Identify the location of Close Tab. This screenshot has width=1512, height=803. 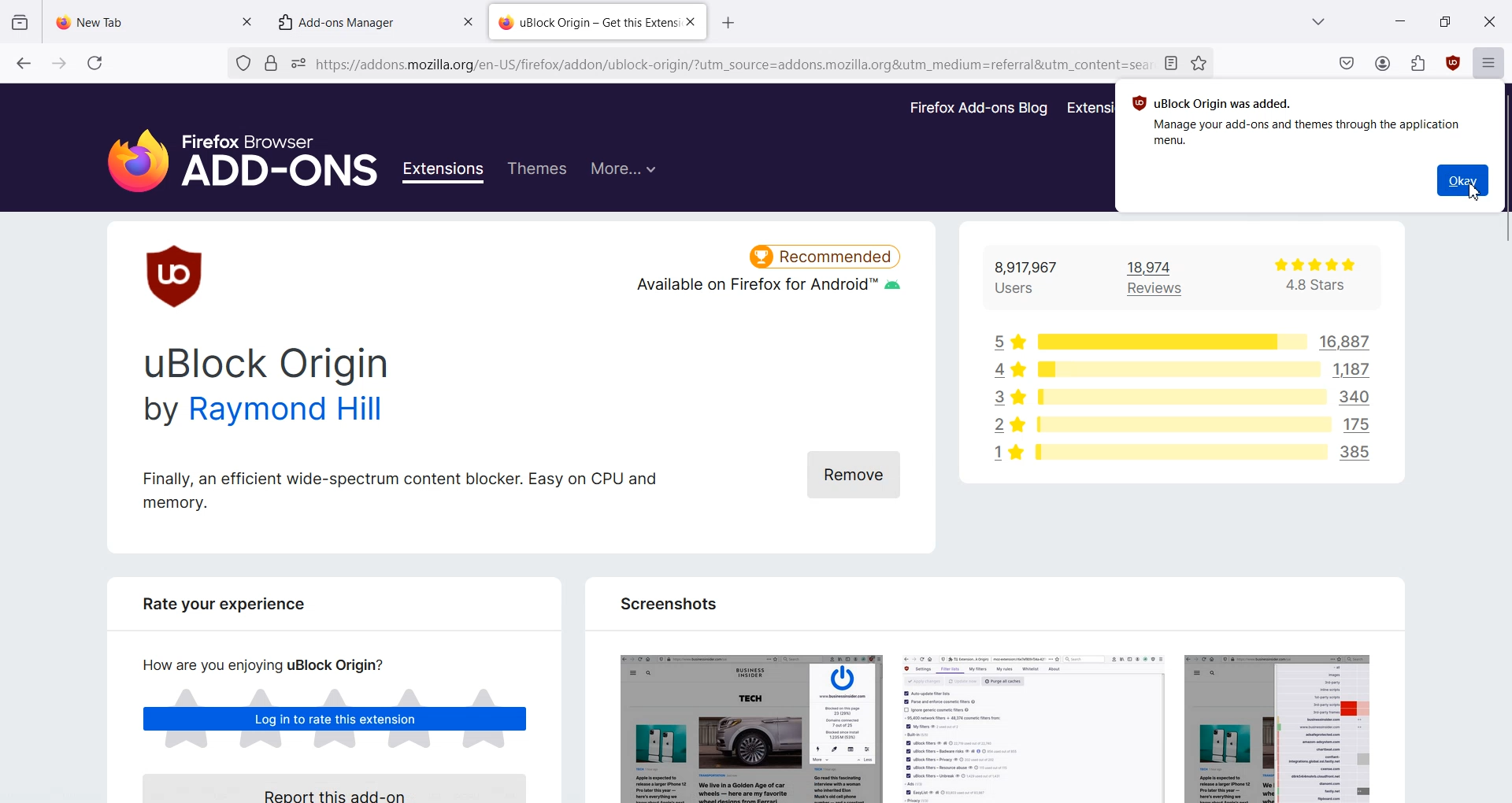
(691, 23).